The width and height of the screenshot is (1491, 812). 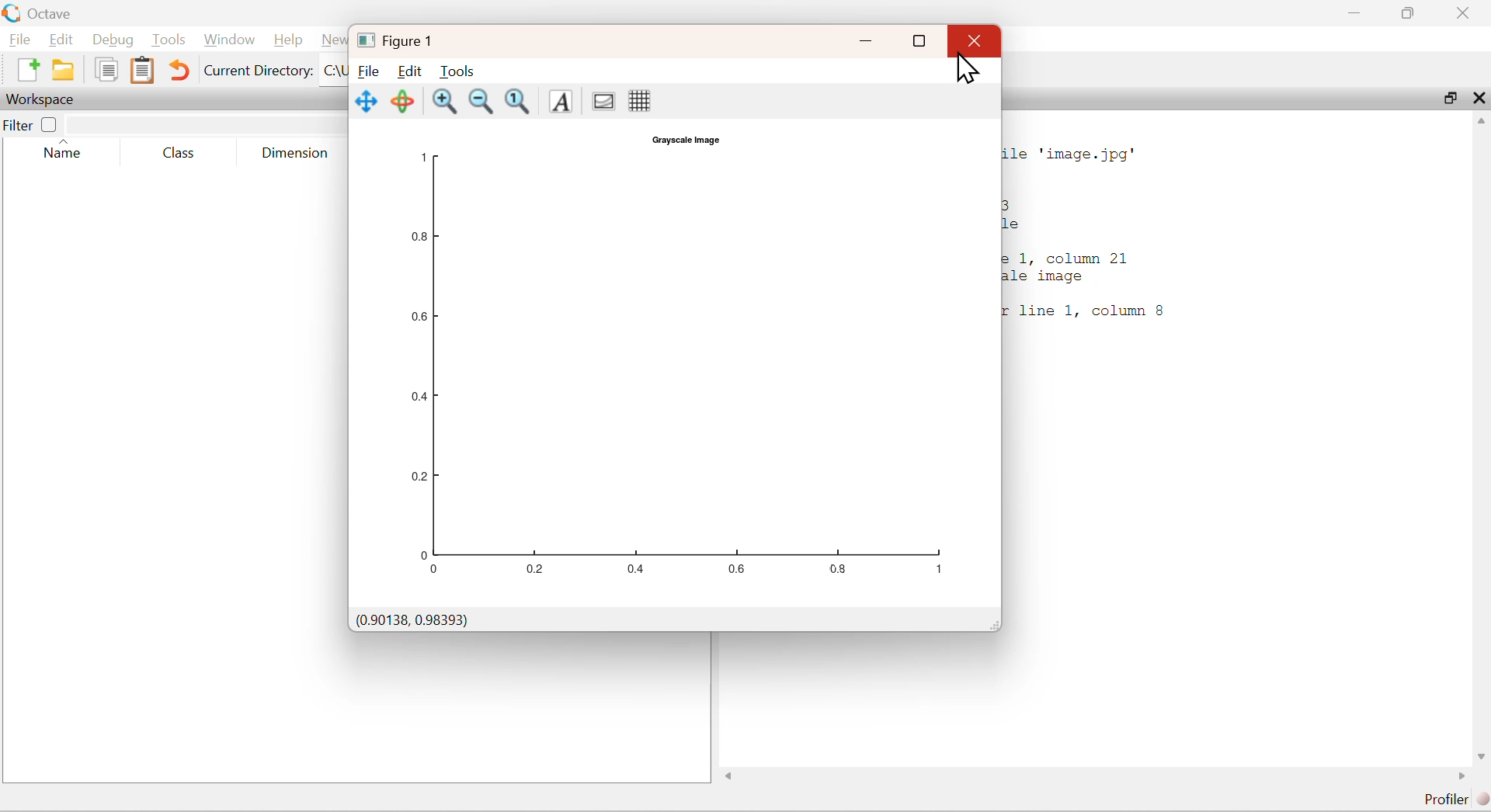 I want to click on scroll bar down, so click(x=1479, y=755).